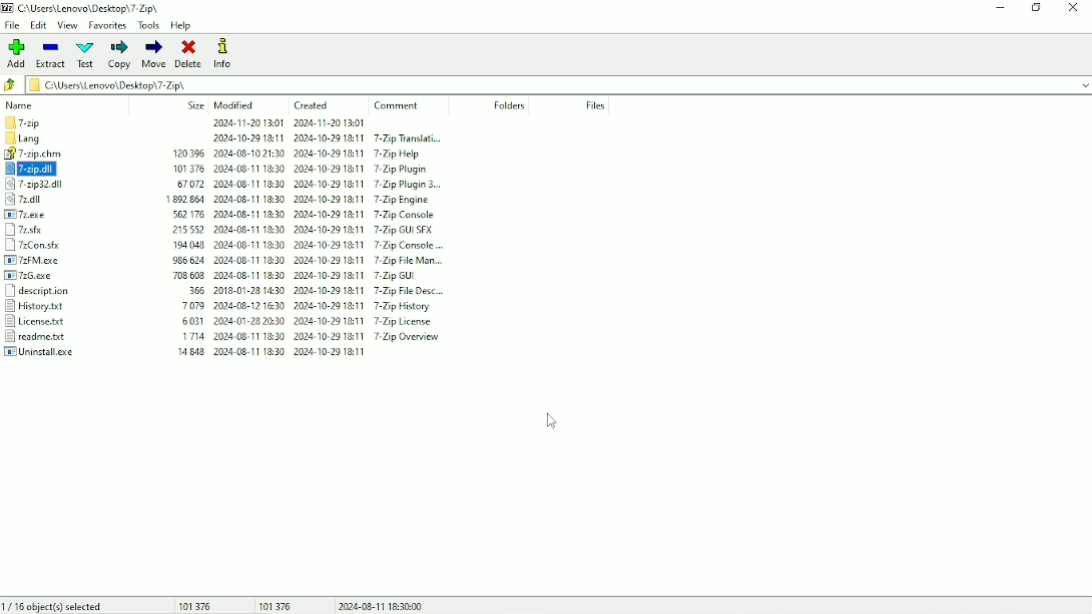 Image resolution: width=1092 pixels, height=614 pixels. I want to click on W118 200408111800 2004-21211 1-2 Pluain, so click(314, 168).